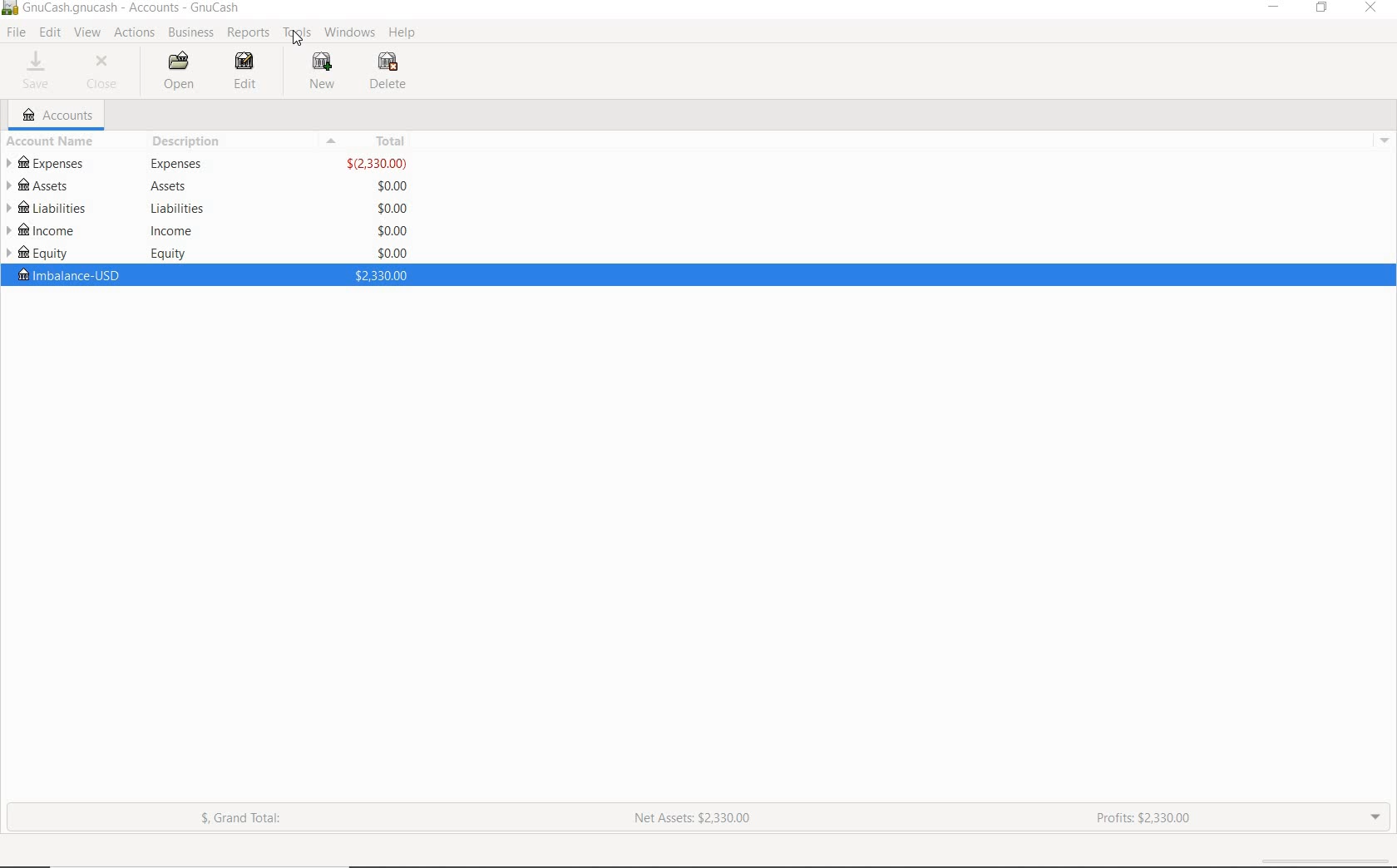 This screenshot has width=1397, height=868. Describe the element at coordinates (206, 253) in the screenshot. I see `EQUITY` at that location.